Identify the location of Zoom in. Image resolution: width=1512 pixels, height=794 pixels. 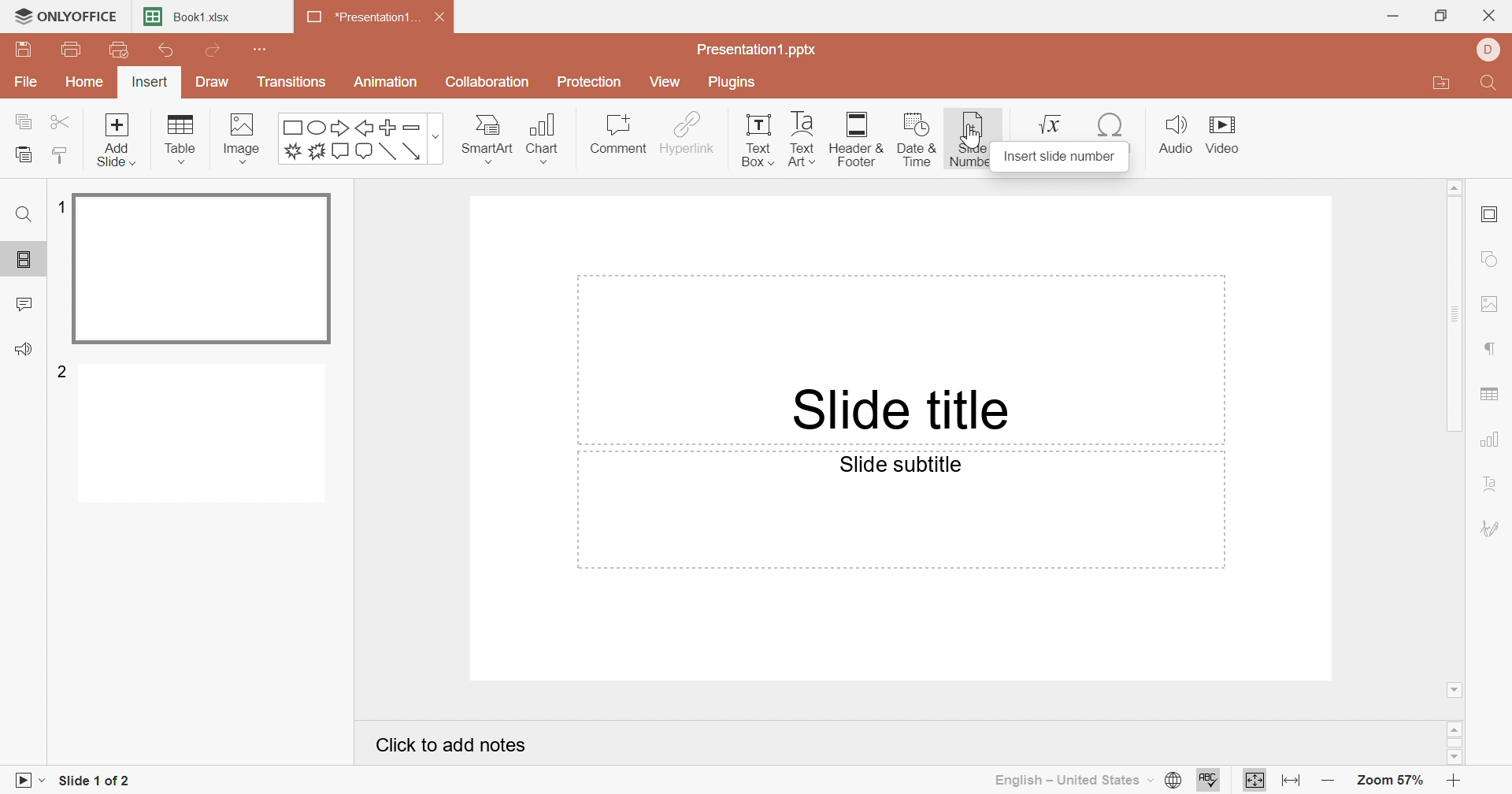
(1459, 781).